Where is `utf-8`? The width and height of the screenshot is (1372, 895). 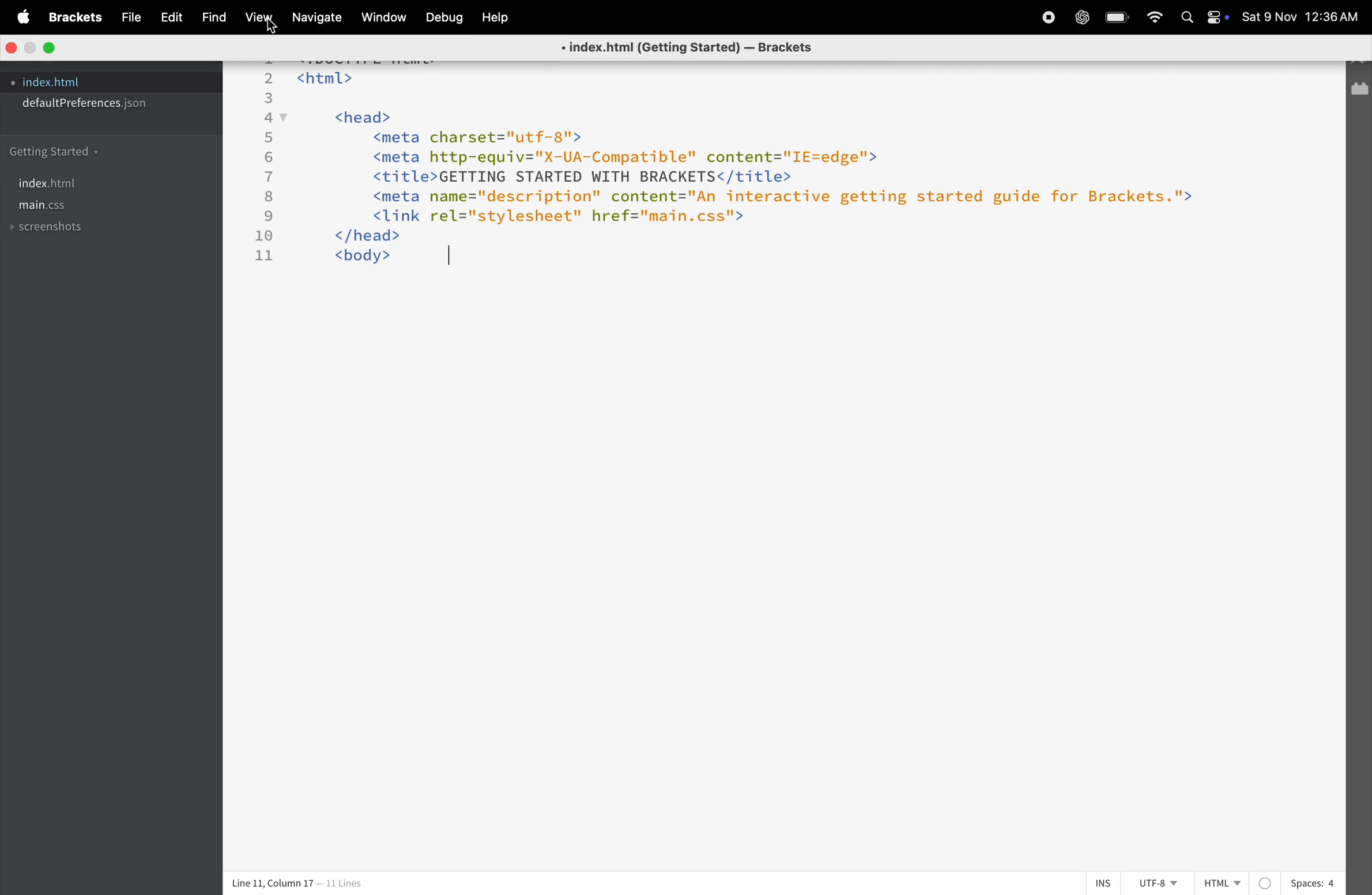 utf-8 is located at coordinates (1155, 883).